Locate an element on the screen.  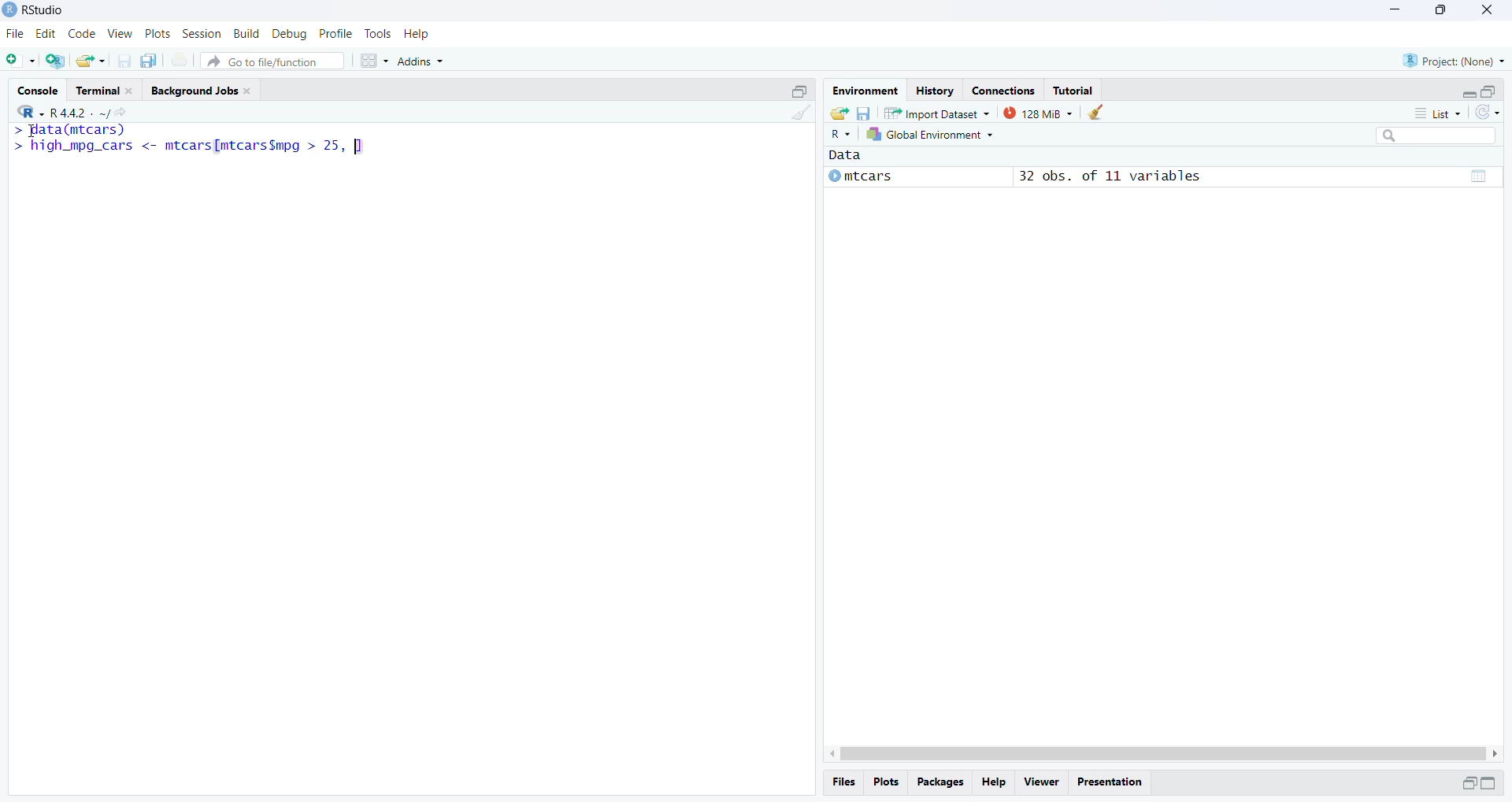
minimize is located at coordinates (1396, 9).